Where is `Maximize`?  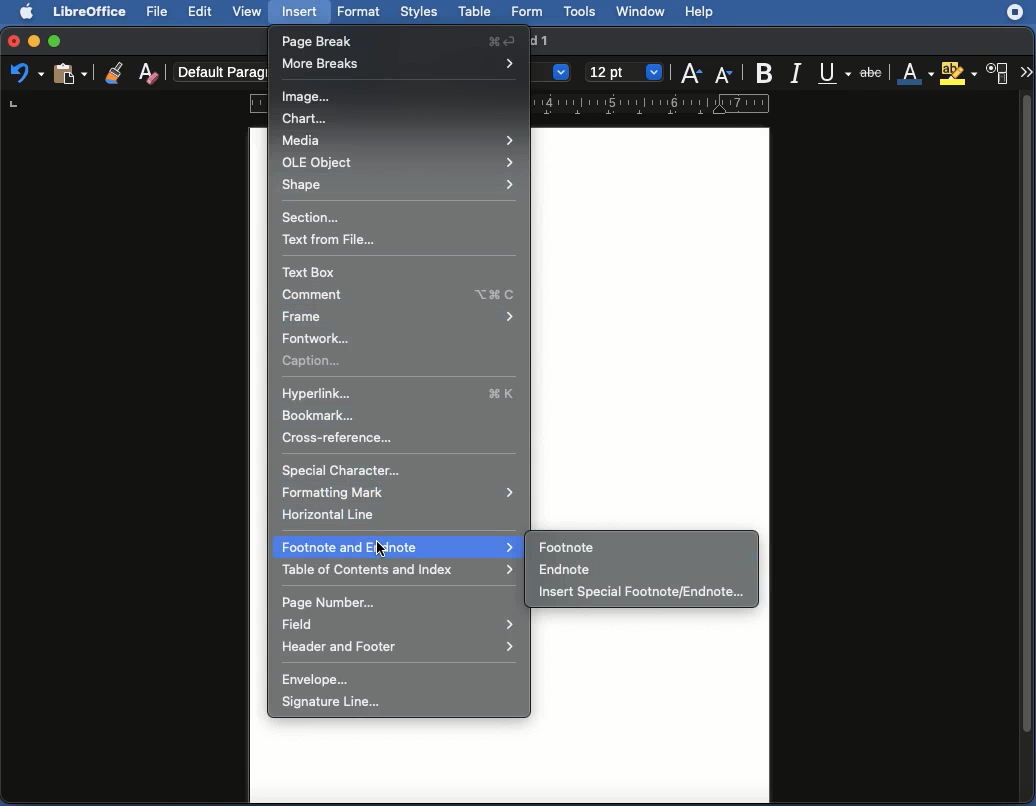 Maximize is located at coordinates (54, 39).